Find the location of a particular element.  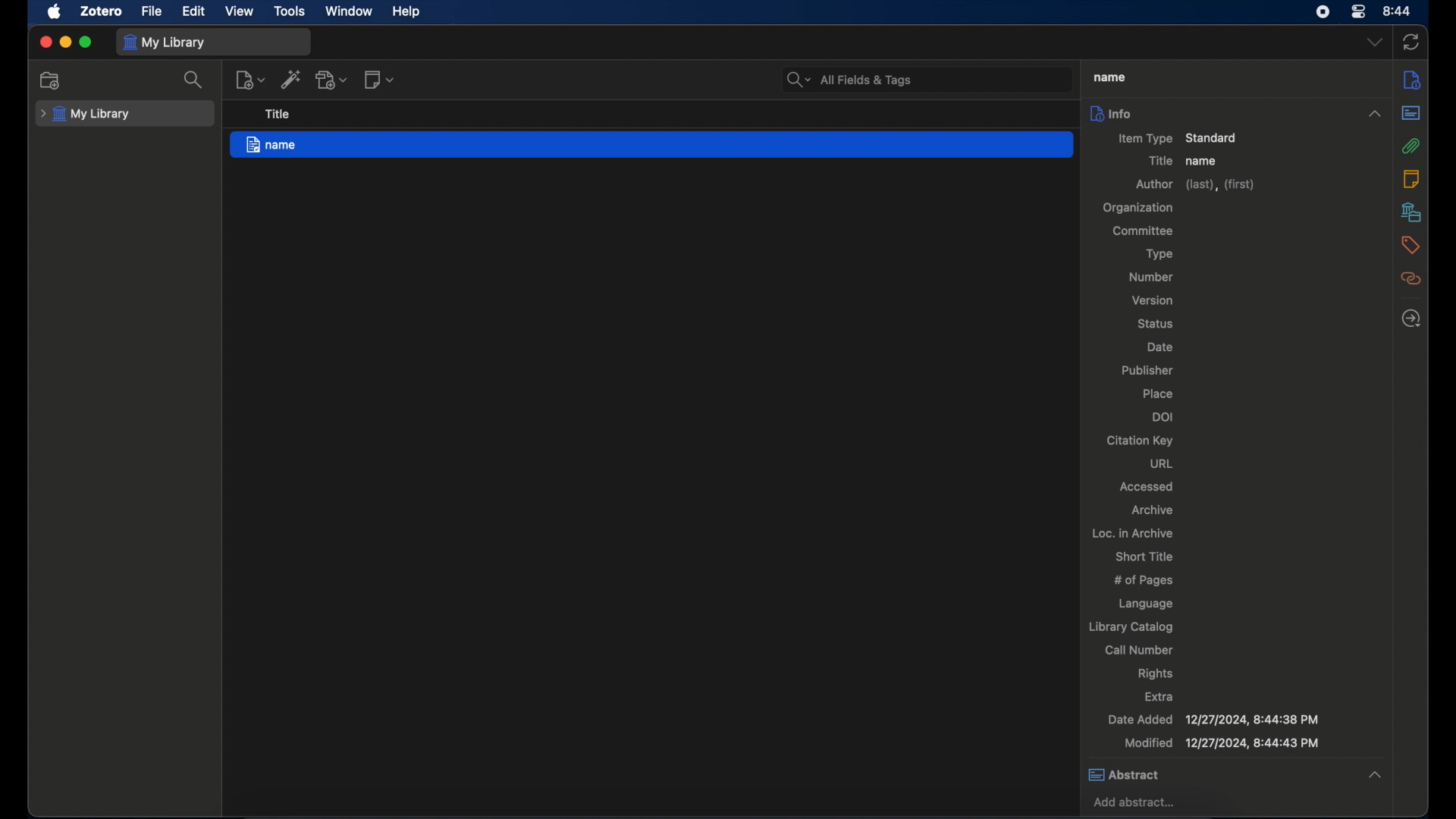

search dropdown is located at coordinates (797, 80).